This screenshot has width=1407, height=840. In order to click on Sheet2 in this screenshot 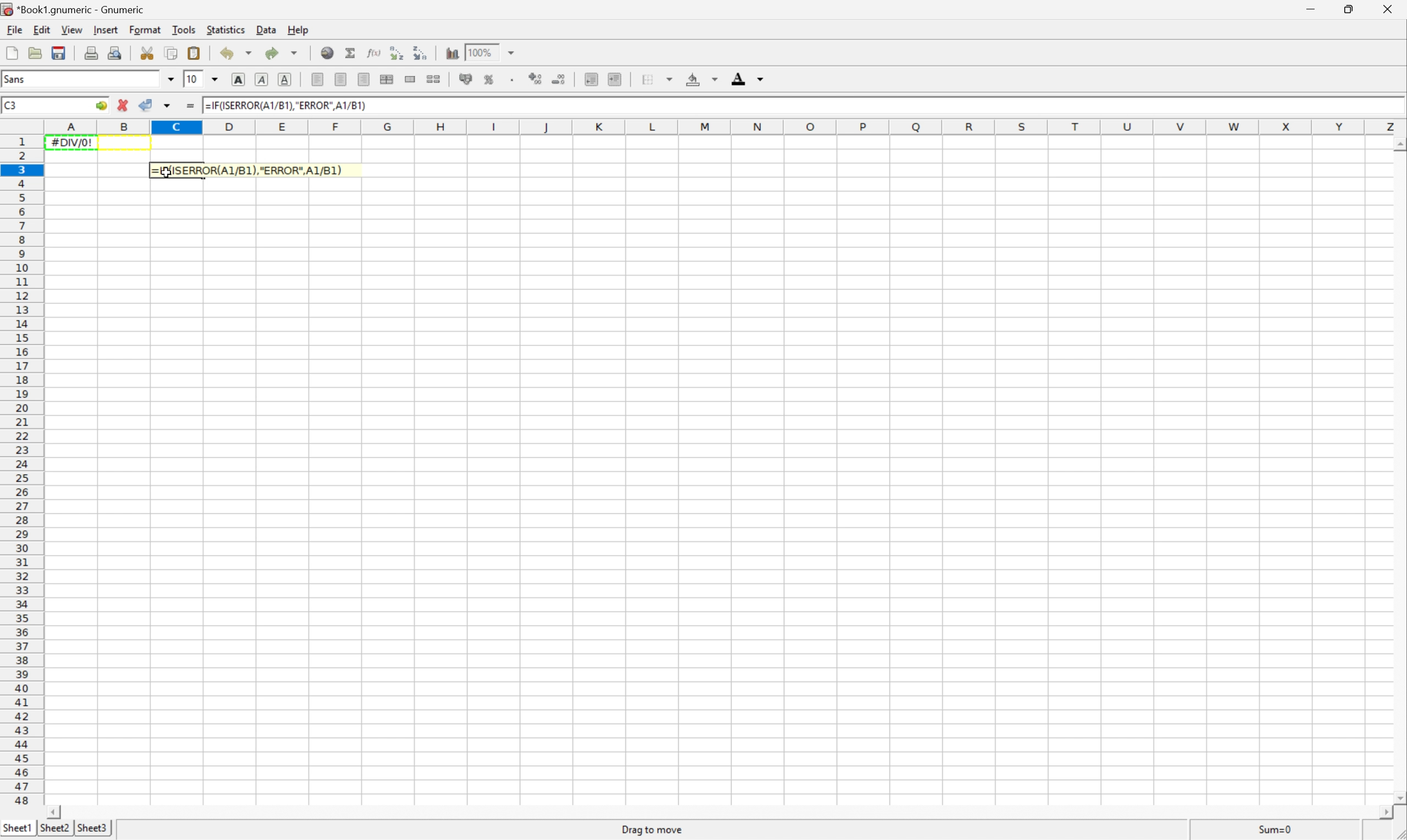, I will do `click(54, 828)`.